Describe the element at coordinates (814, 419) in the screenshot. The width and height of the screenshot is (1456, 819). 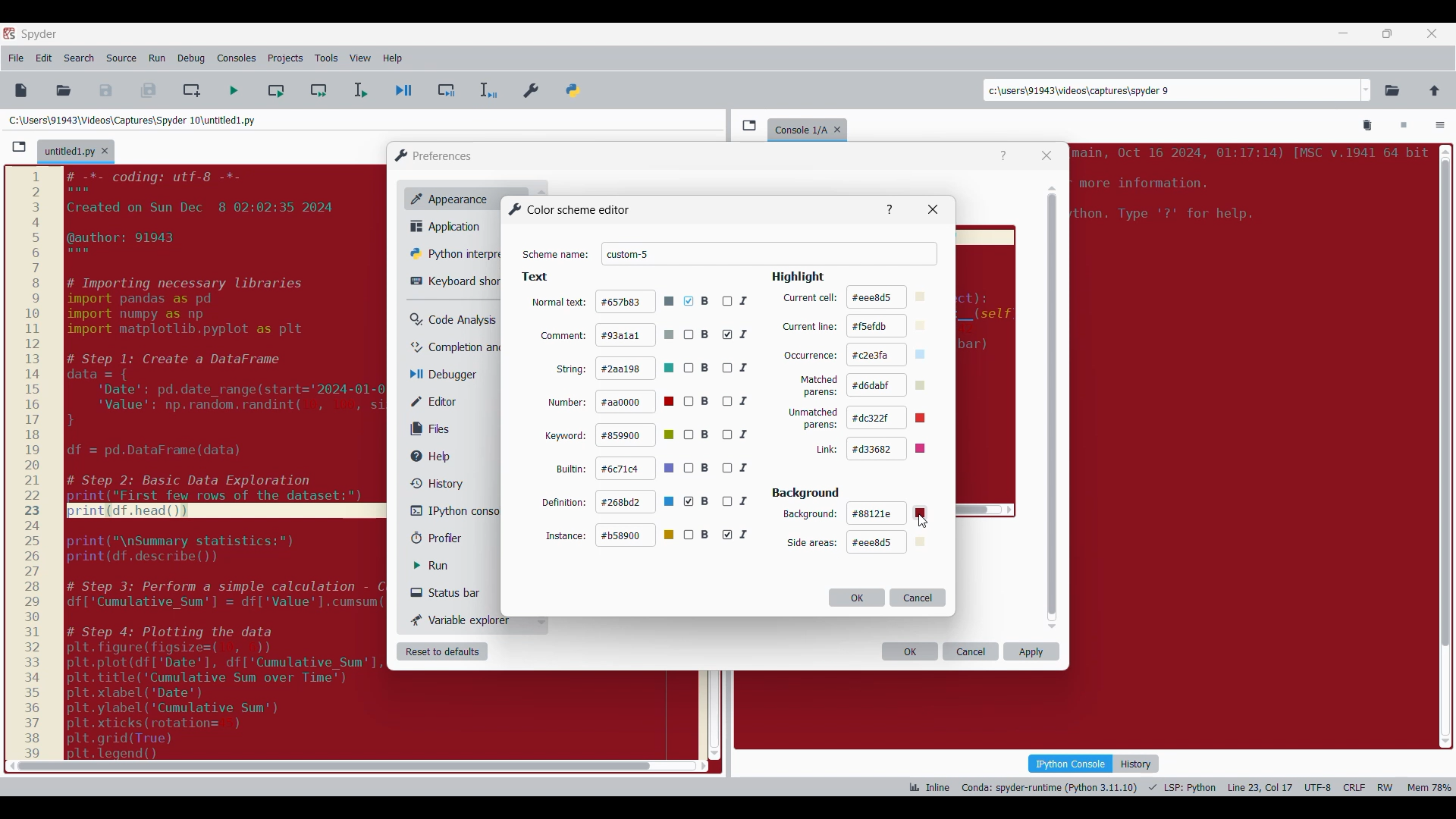
I see `unmatched parens` at that location.